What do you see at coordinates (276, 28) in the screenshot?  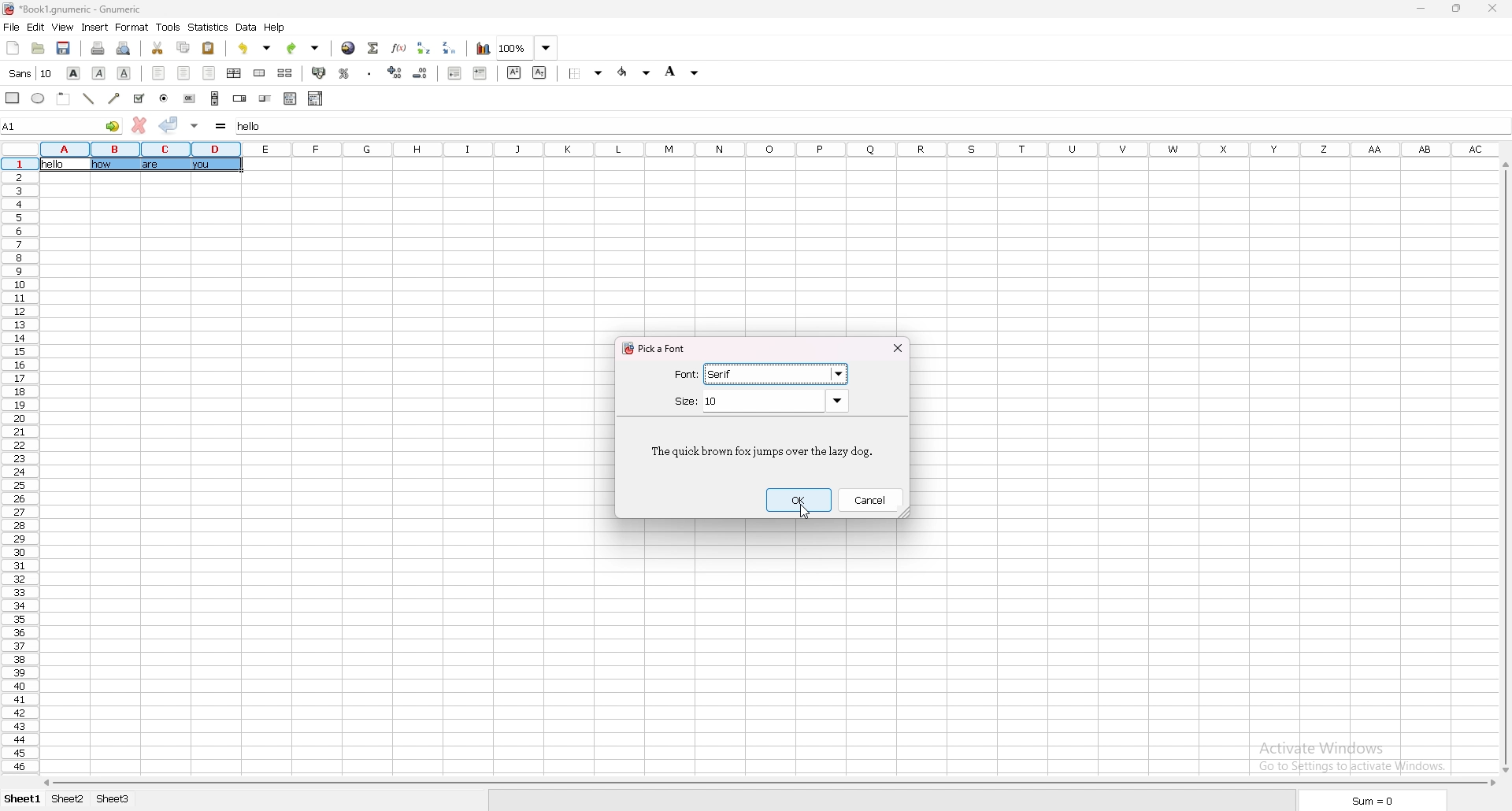 I see `help` at bounding box center [276, 28].